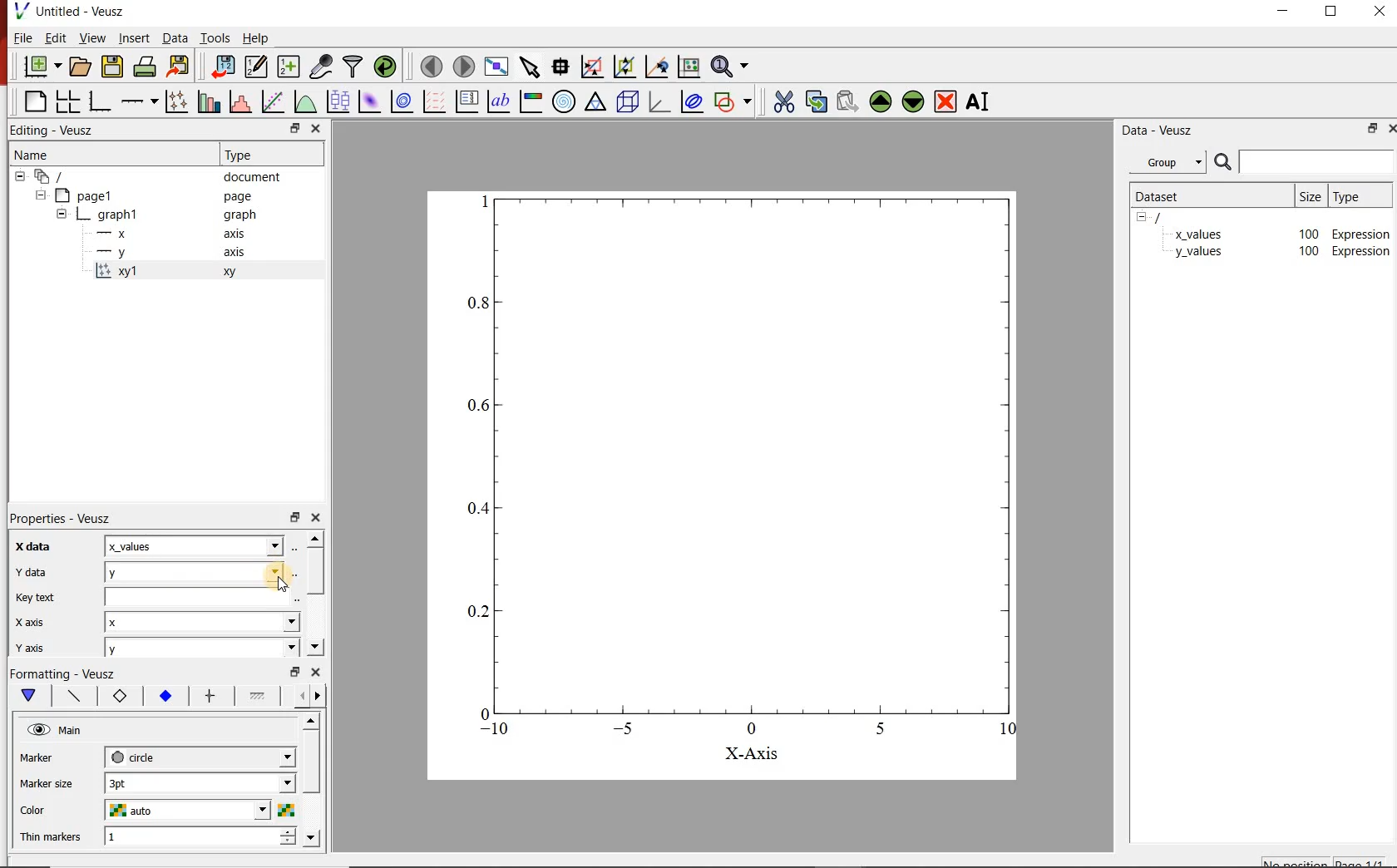  I want to click on all apegs, so click(58, 176).